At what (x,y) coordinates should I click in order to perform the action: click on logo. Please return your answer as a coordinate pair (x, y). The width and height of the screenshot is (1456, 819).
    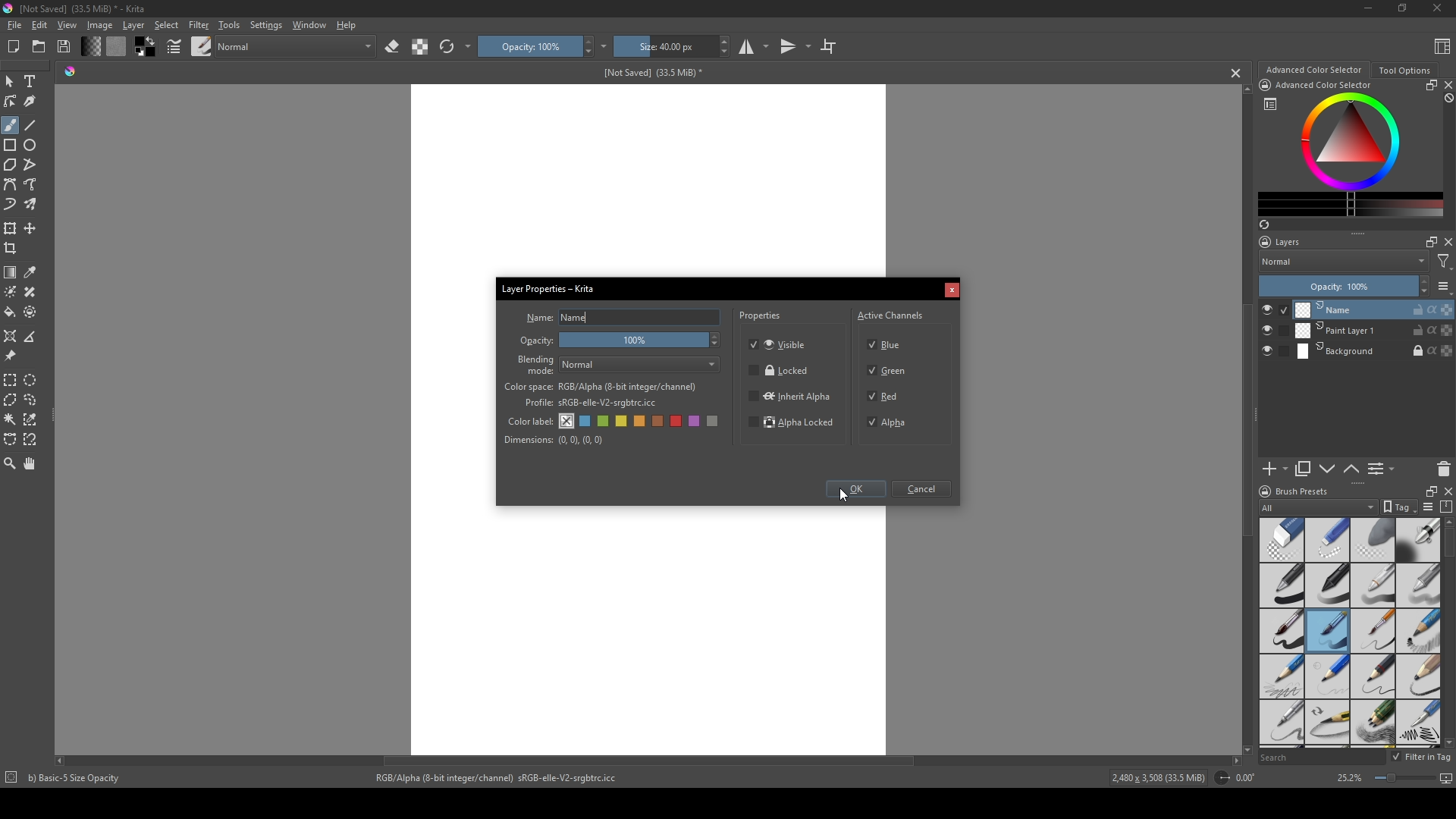
    Looking at the image, I should click on (9, 8).